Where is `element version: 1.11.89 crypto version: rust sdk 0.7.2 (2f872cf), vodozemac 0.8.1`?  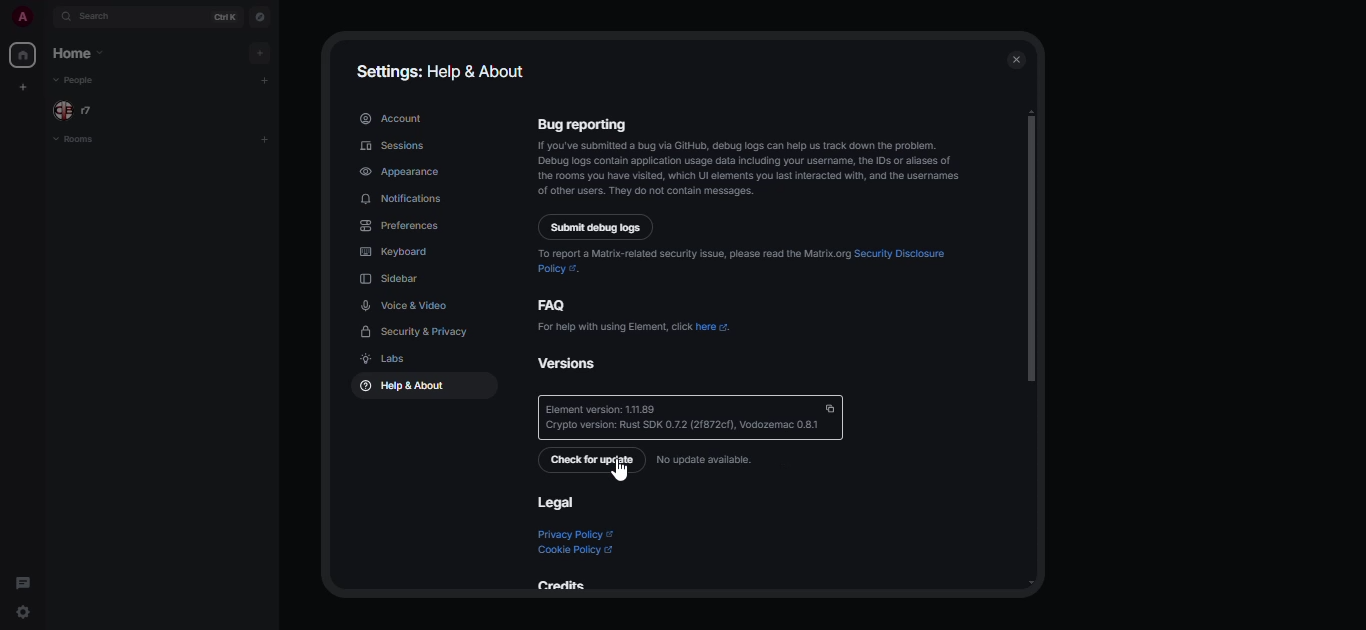 element version: 1.11.89 crypto version: rust sdk 0.7.2 (2f872cf), vodozemac 0.8.1 is located at coordinates (692, 417).